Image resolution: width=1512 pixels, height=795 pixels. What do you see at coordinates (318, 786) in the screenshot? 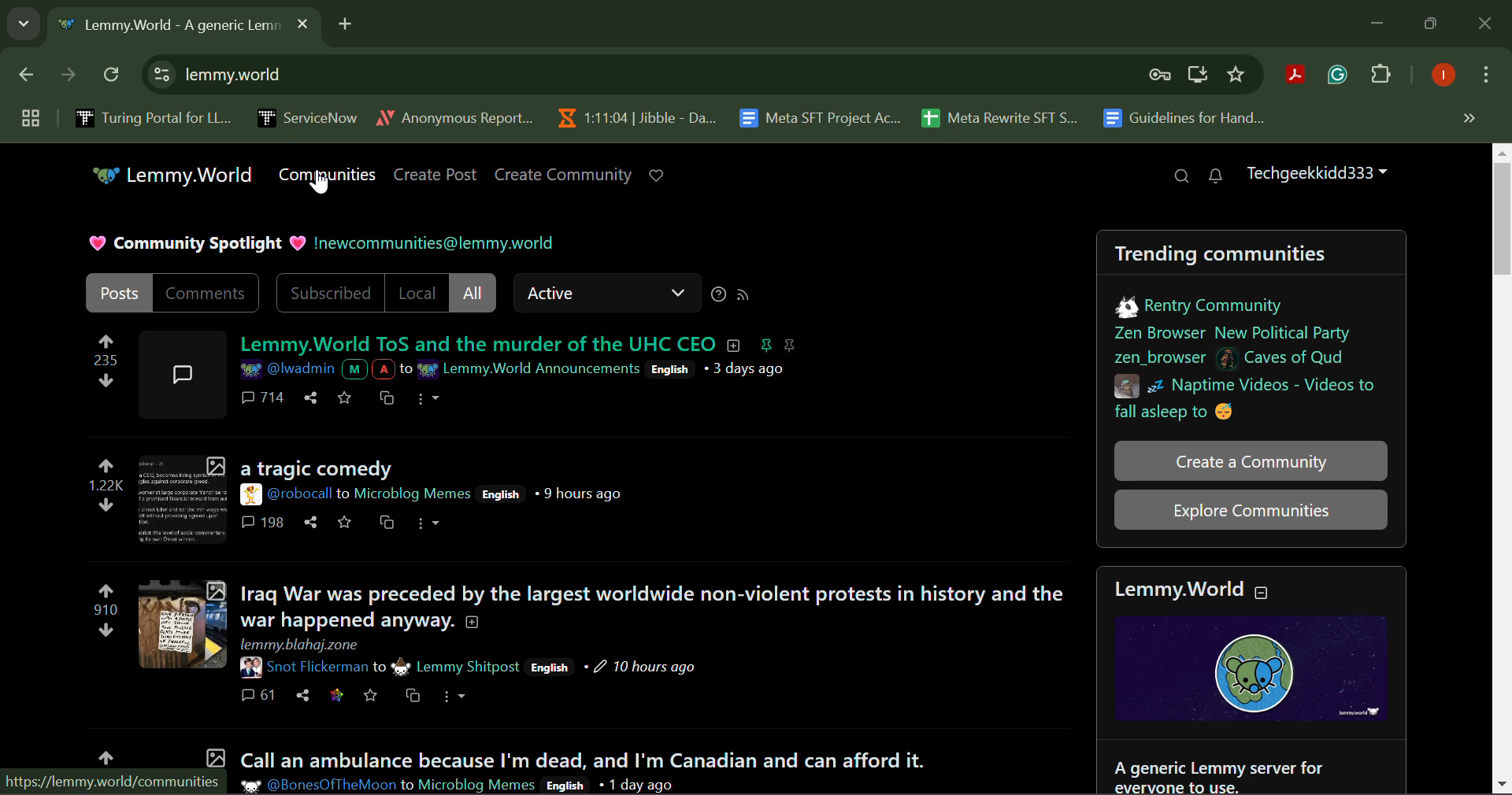
I see `@BonesOfTheMoon` at bounding box center [318, 786].